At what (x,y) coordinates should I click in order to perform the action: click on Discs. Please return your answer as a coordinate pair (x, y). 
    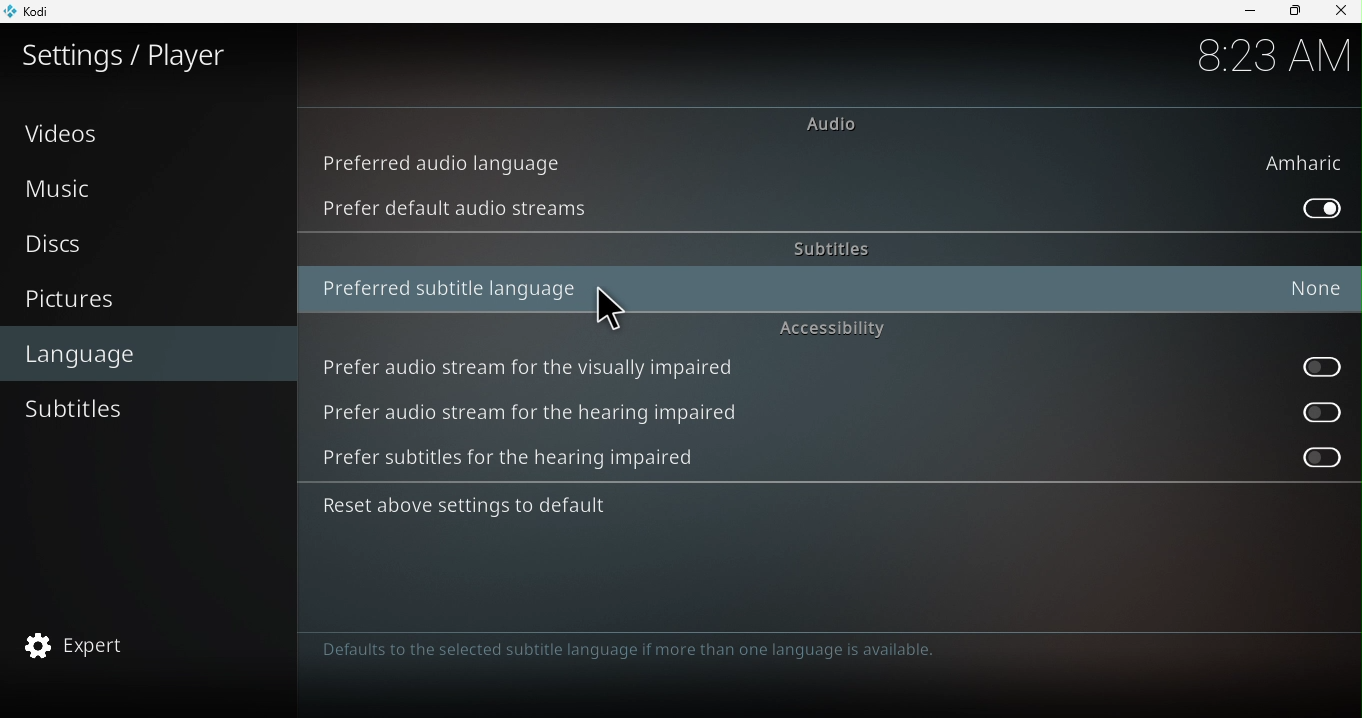
    Looking at the image, I should click on (140, 248).